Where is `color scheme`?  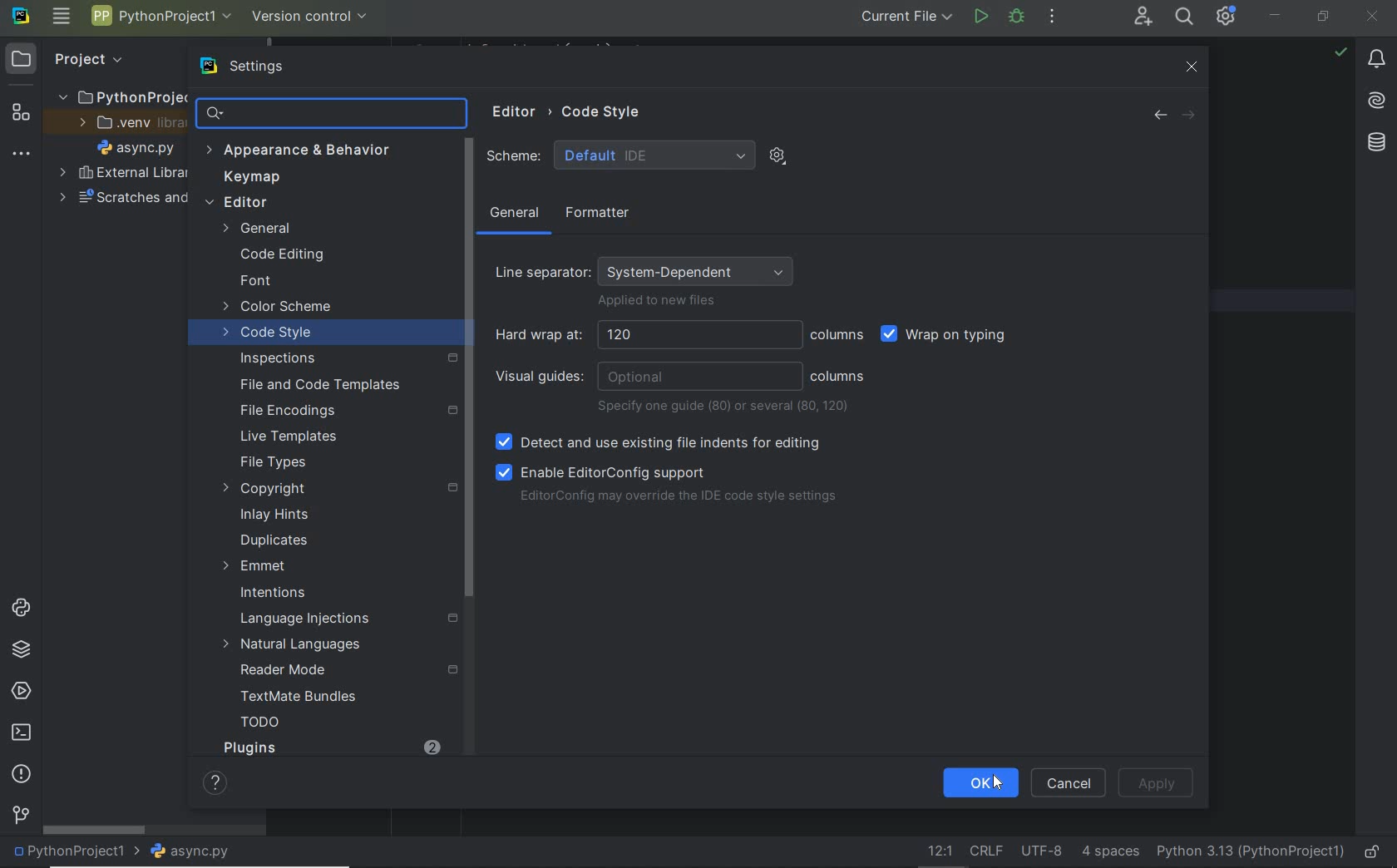 color scheme is located at coordinates (279, 308).